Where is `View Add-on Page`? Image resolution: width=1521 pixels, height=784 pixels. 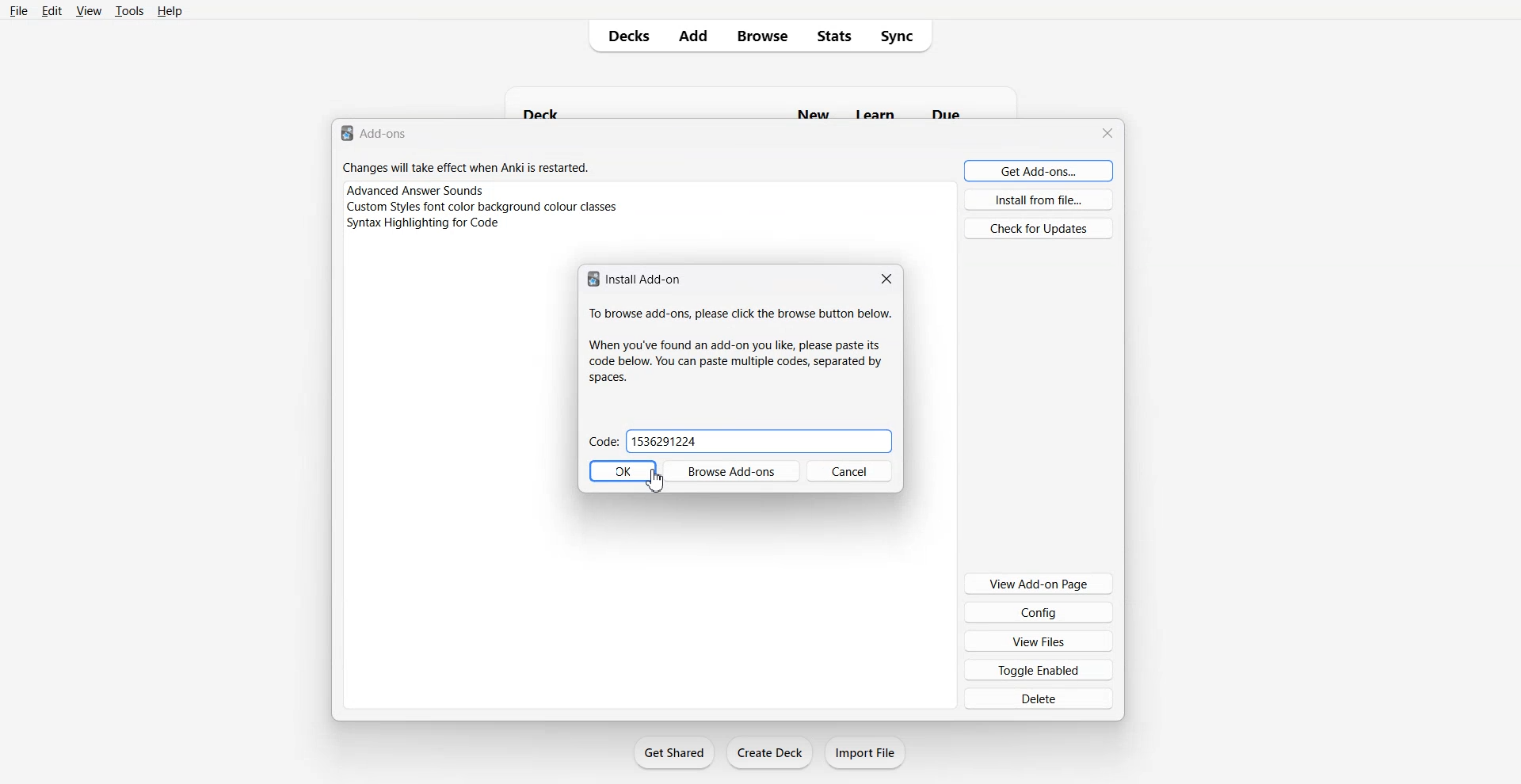 View Add-on Page is located at coordinates (1038, 583).